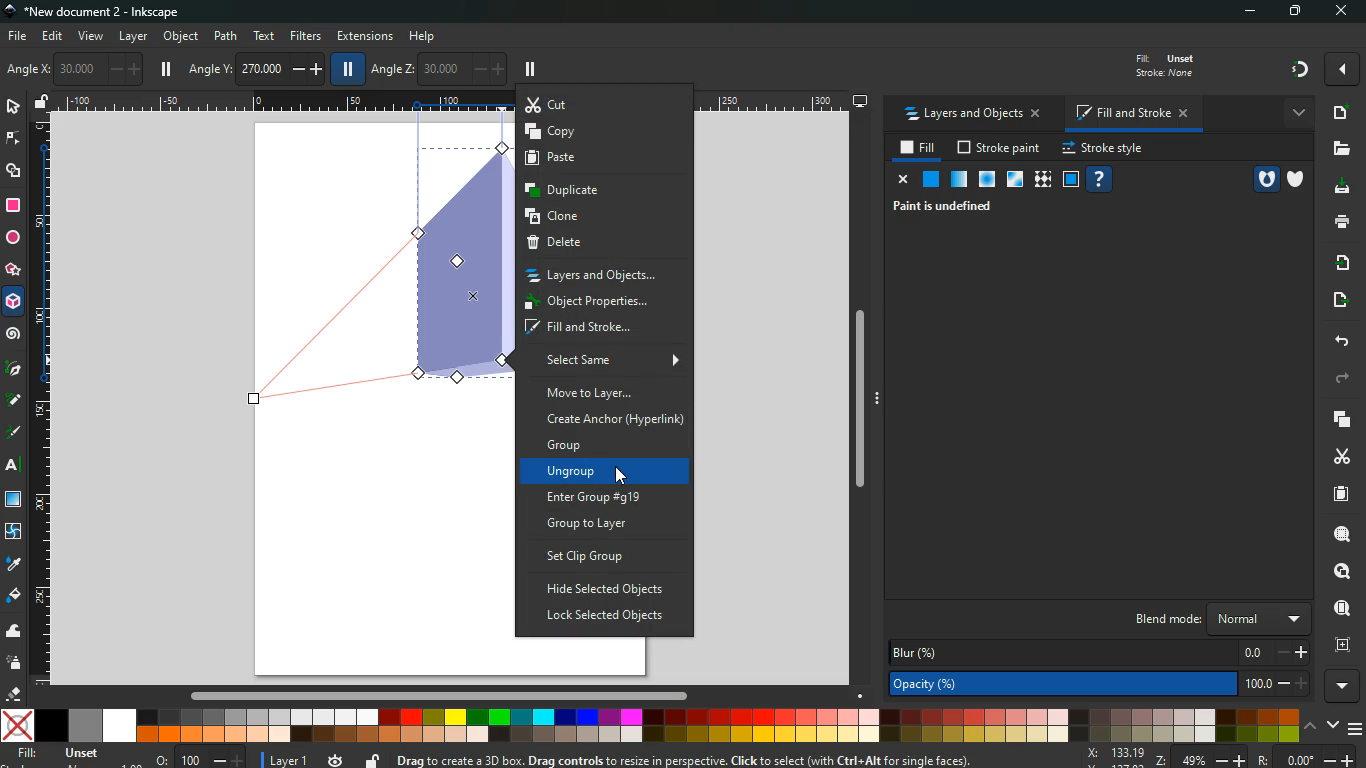 This screenshot has height=768, width=1366. I want to click on spray, so click(14, 662).